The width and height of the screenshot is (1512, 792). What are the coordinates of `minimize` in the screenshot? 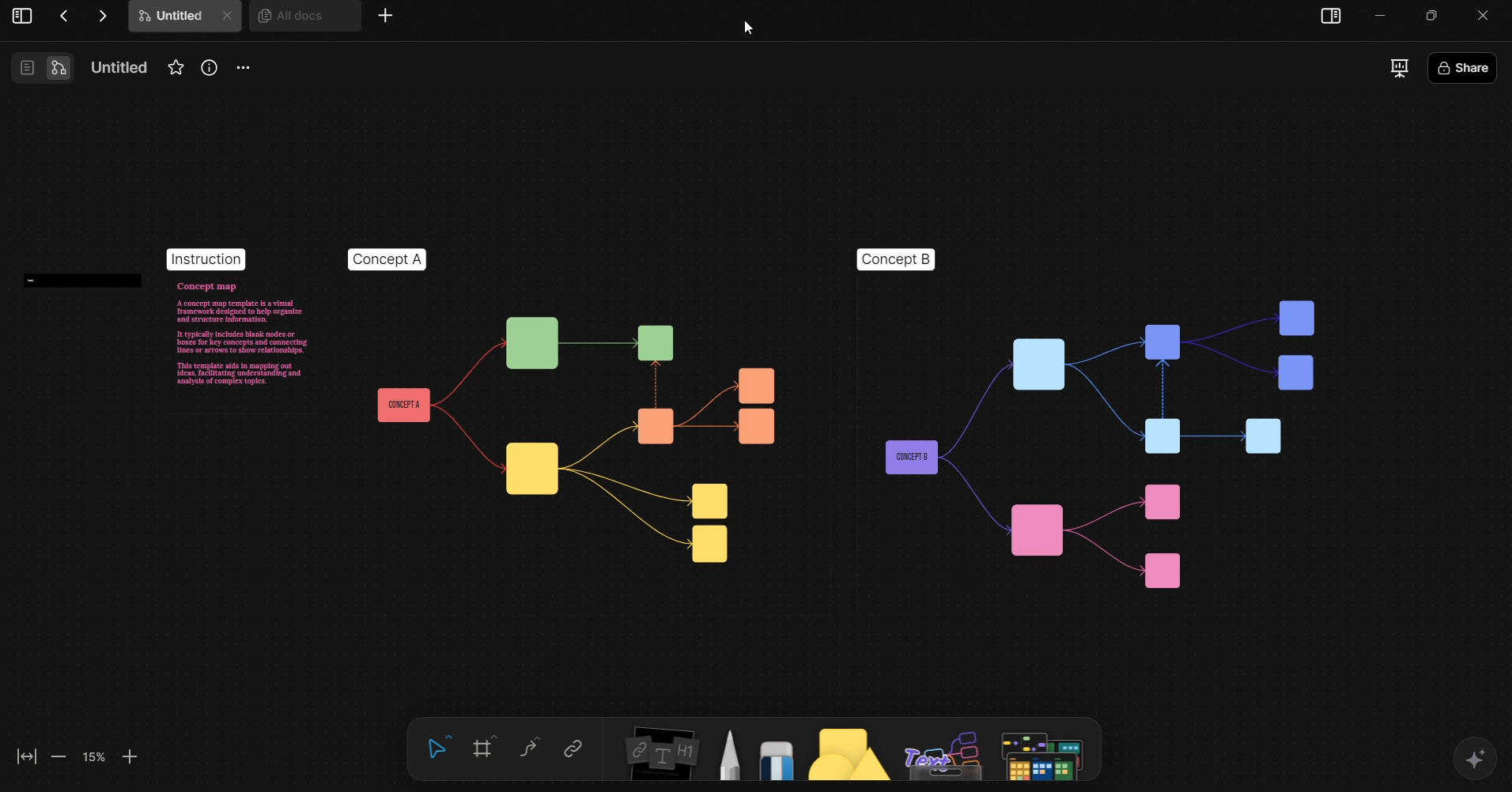 It's located at (1384, 15).